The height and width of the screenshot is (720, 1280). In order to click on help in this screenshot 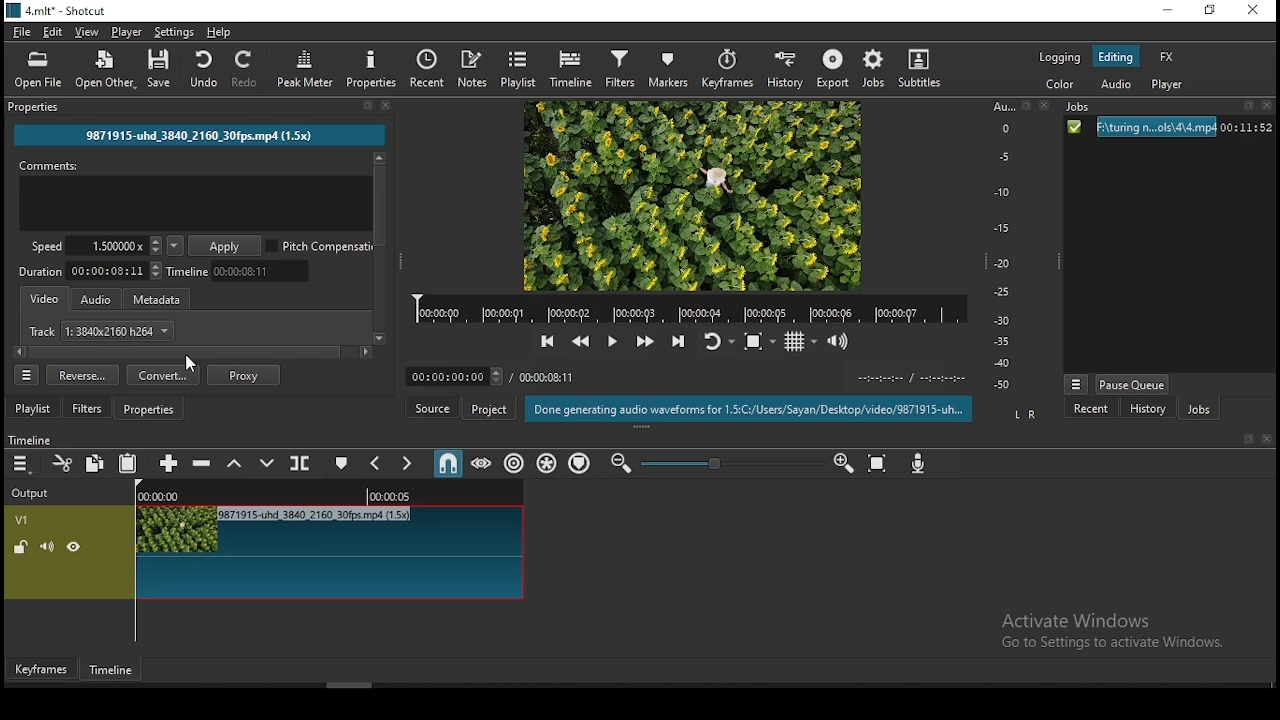, I will do `click(222, 31)`.